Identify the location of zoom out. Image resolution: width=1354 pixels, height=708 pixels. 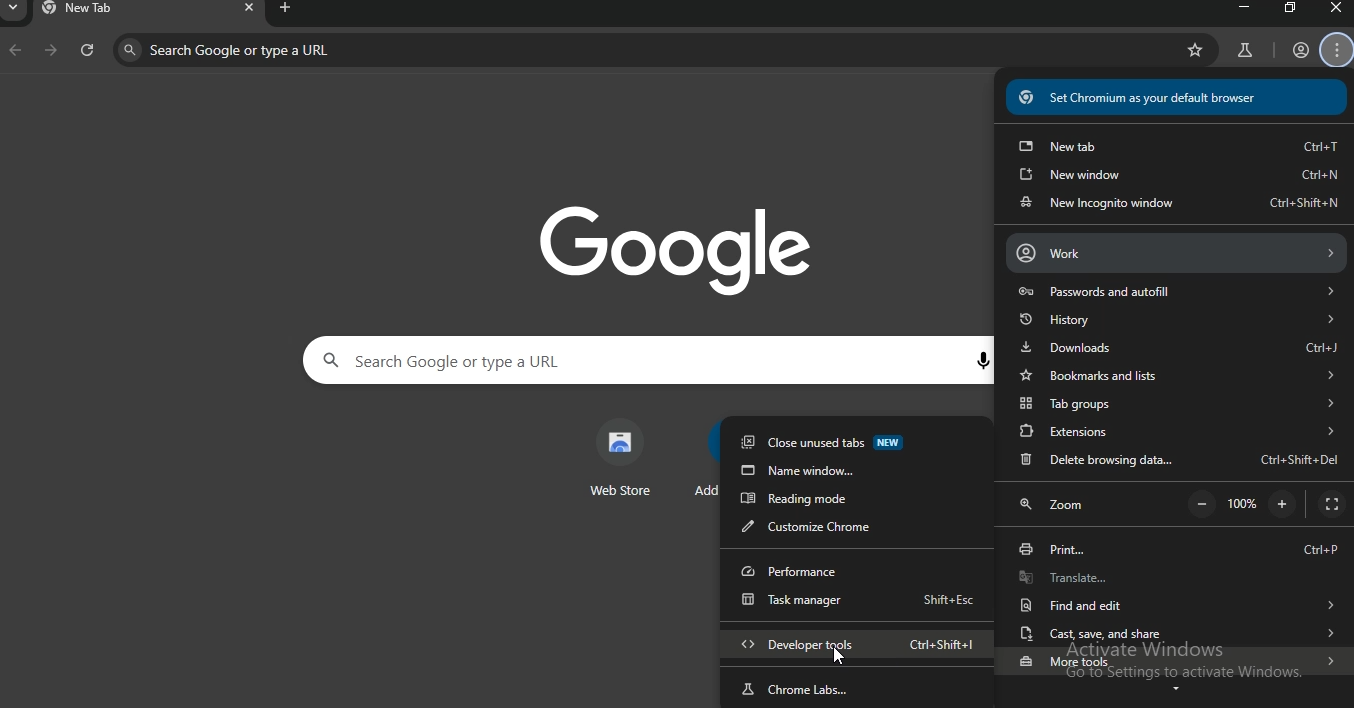
(1203, 504).